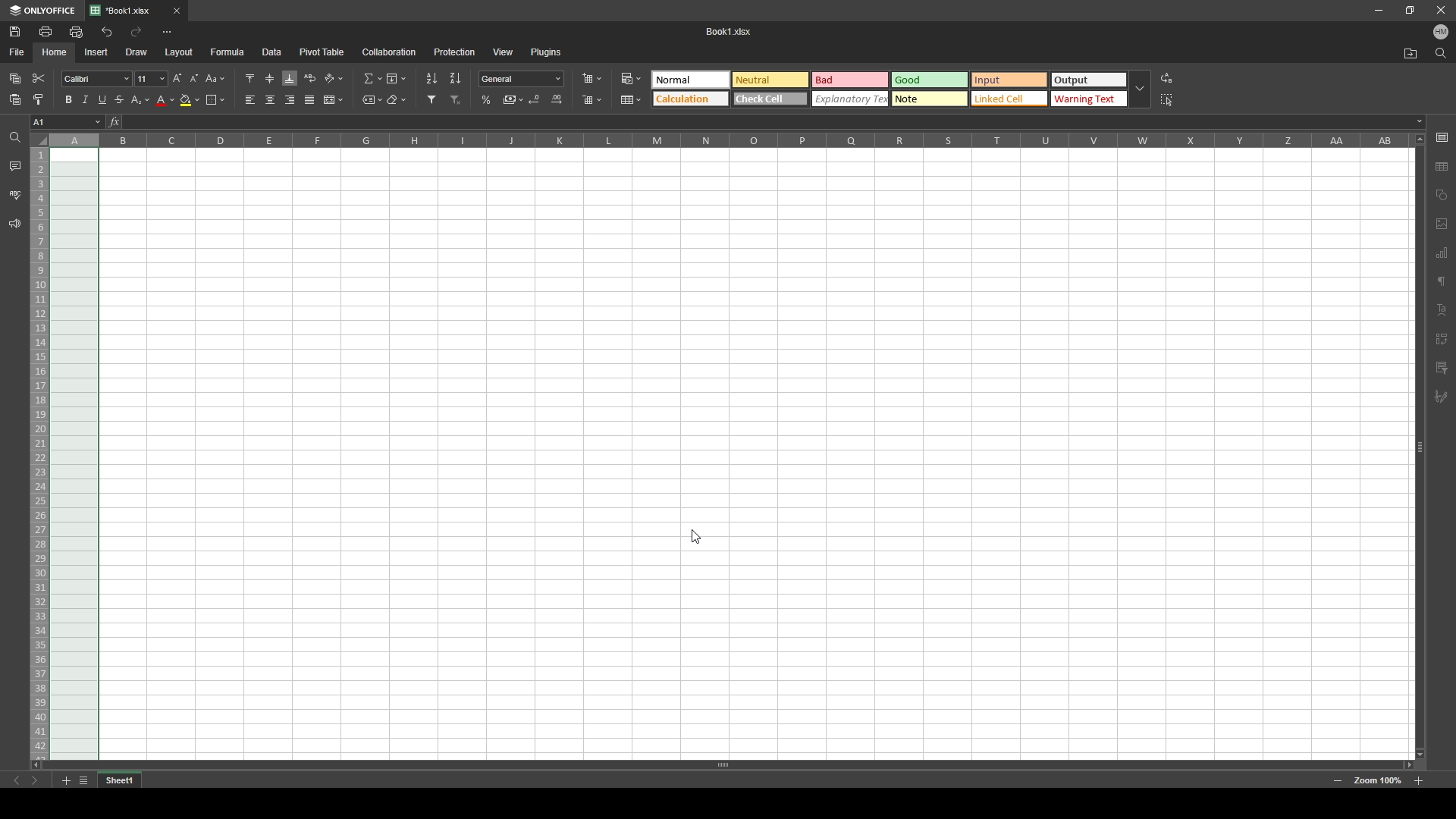  Describe the element at coordinates (372, 100) in the screenshot. I see `named ranges` at that location.